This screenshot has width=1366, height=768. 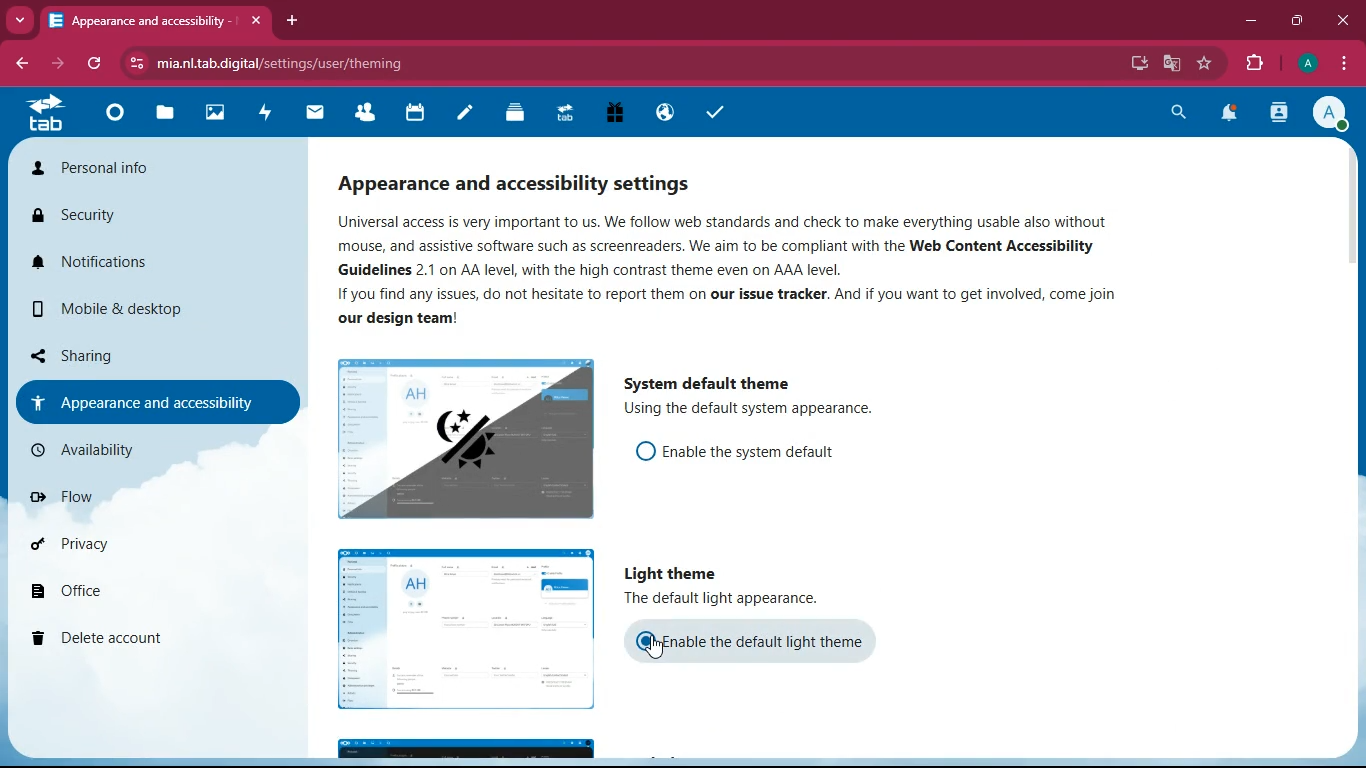 I want to click on calendar, so click(x=415, y=114).